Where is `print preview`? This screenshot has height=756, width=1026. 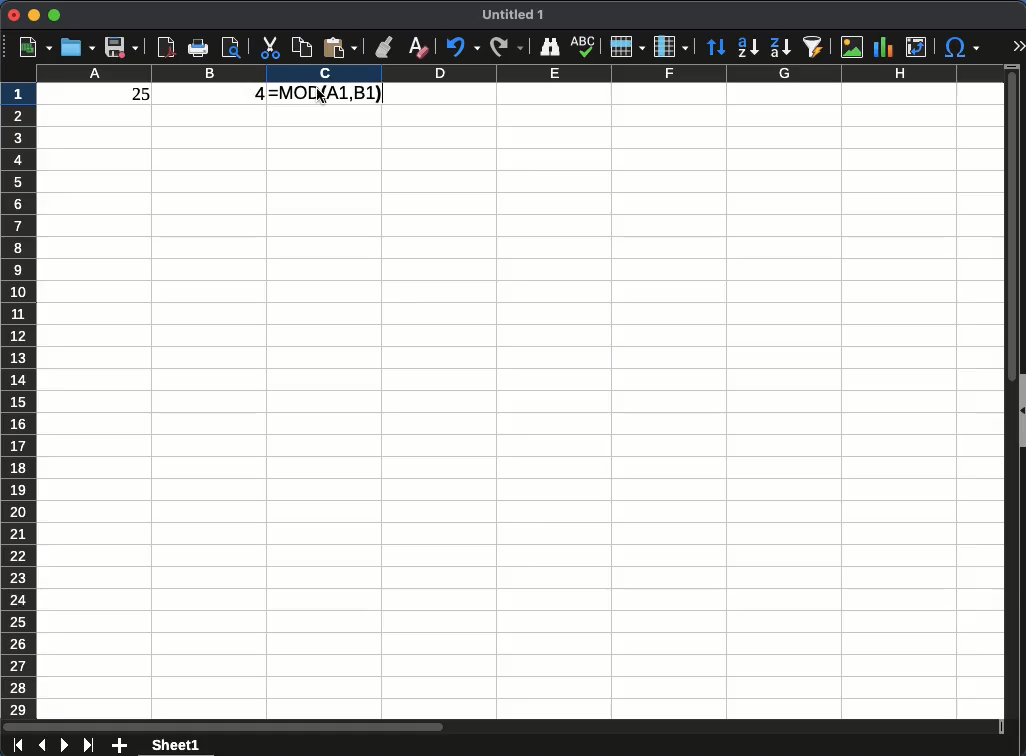 print preview is located at coordinates (233, 48).